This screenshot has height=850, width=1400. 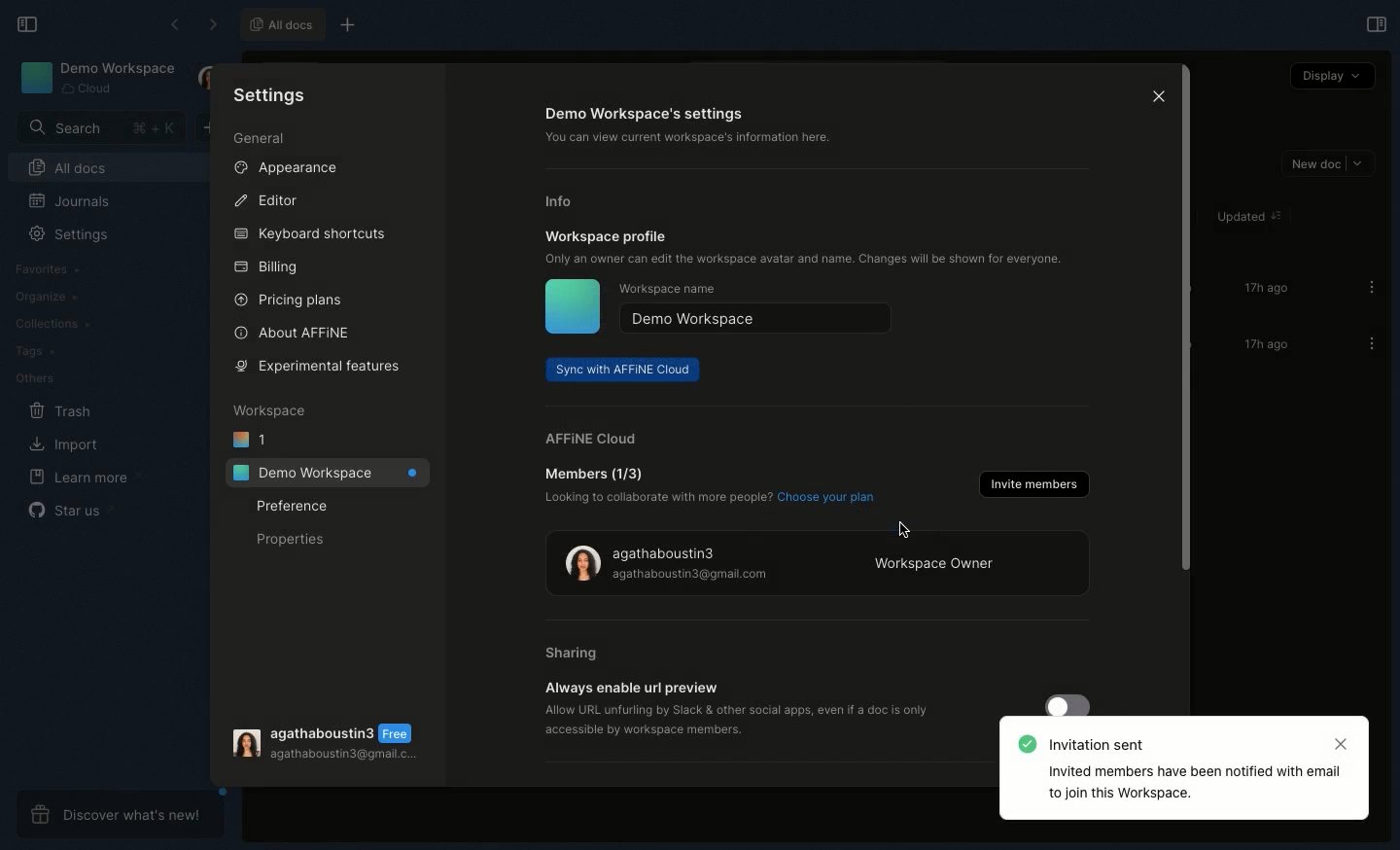 I want to click on Open right panel, so click(x=1375, y=24).